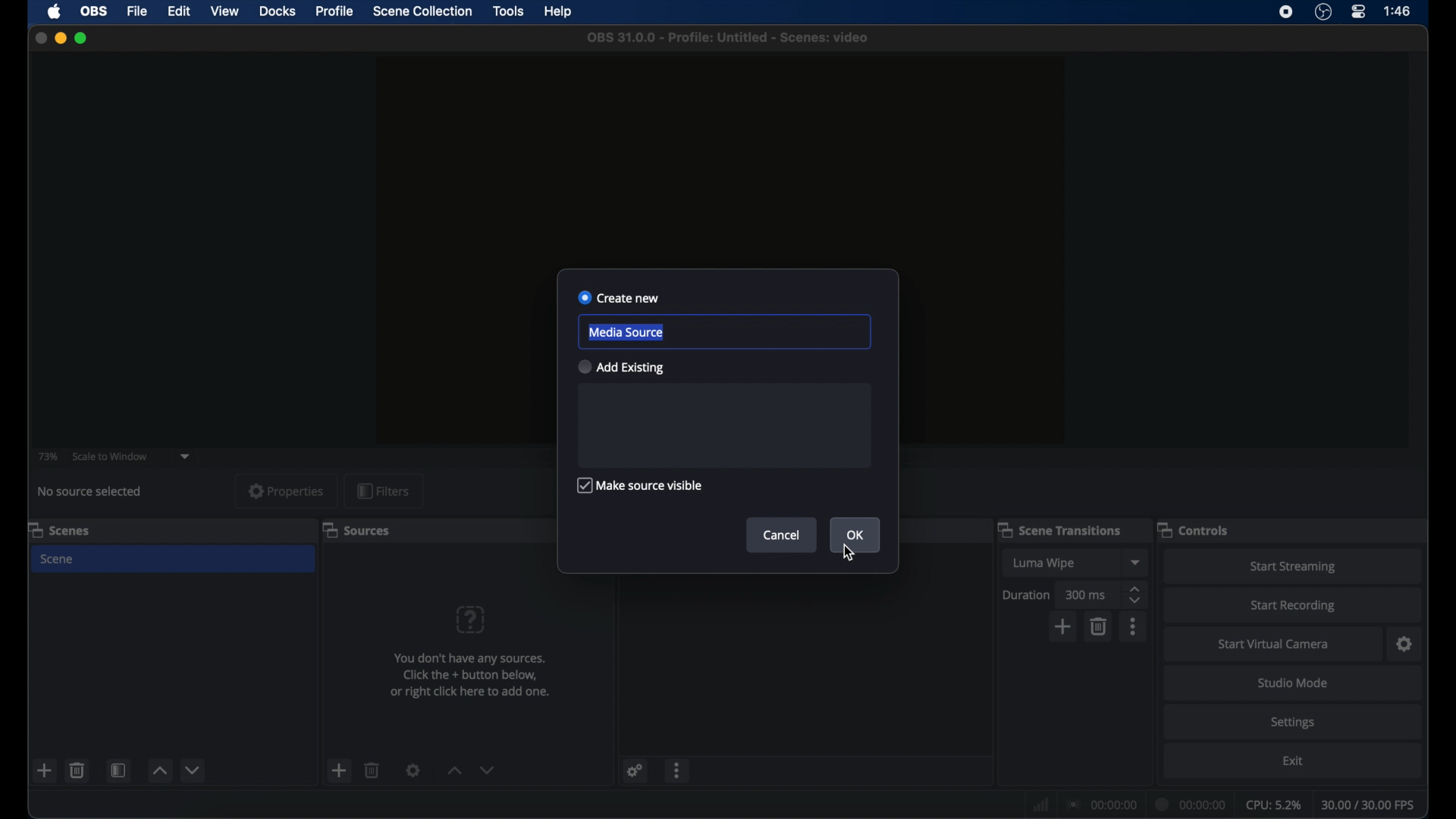 The image size is (1456, 819). What do you see at coordinates (637, 485) in the screenshot?
I see `make source visible` at bounding box center [637, 485].